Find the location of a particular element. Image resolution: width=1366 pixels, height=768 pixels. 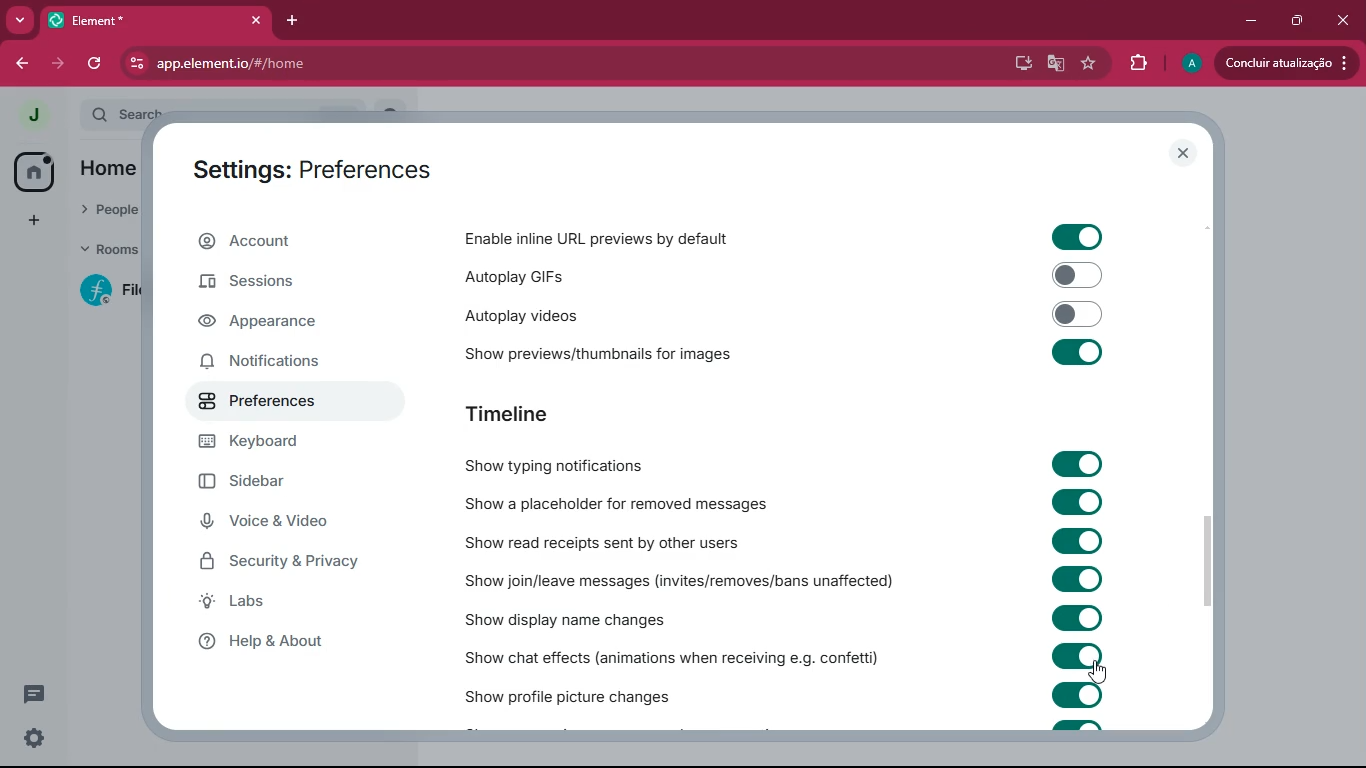

toggle on/off is located at coordinates (1077, 656).